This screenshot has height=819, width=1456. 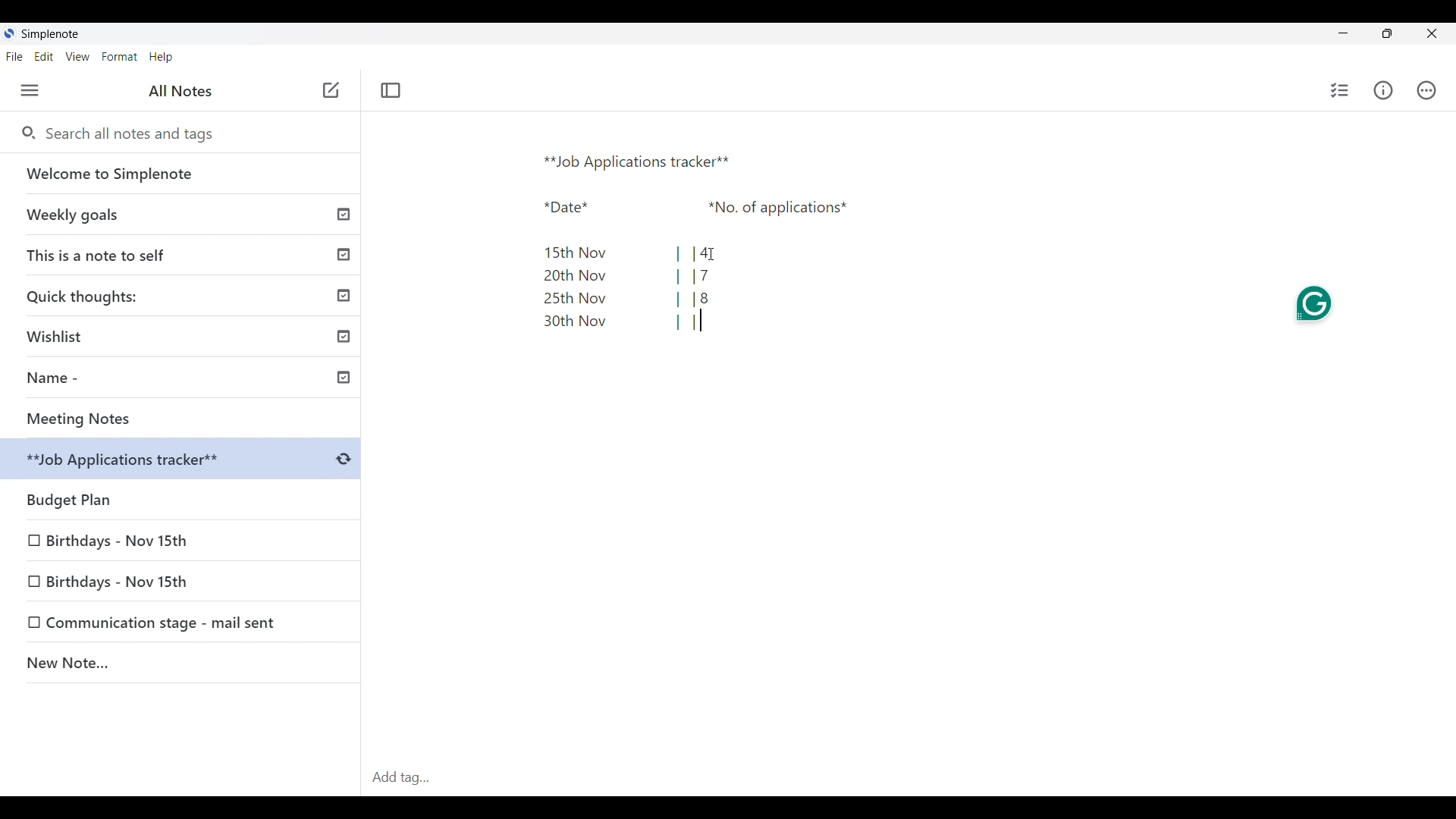 I want to click on Format, so click(x=120, y=57).